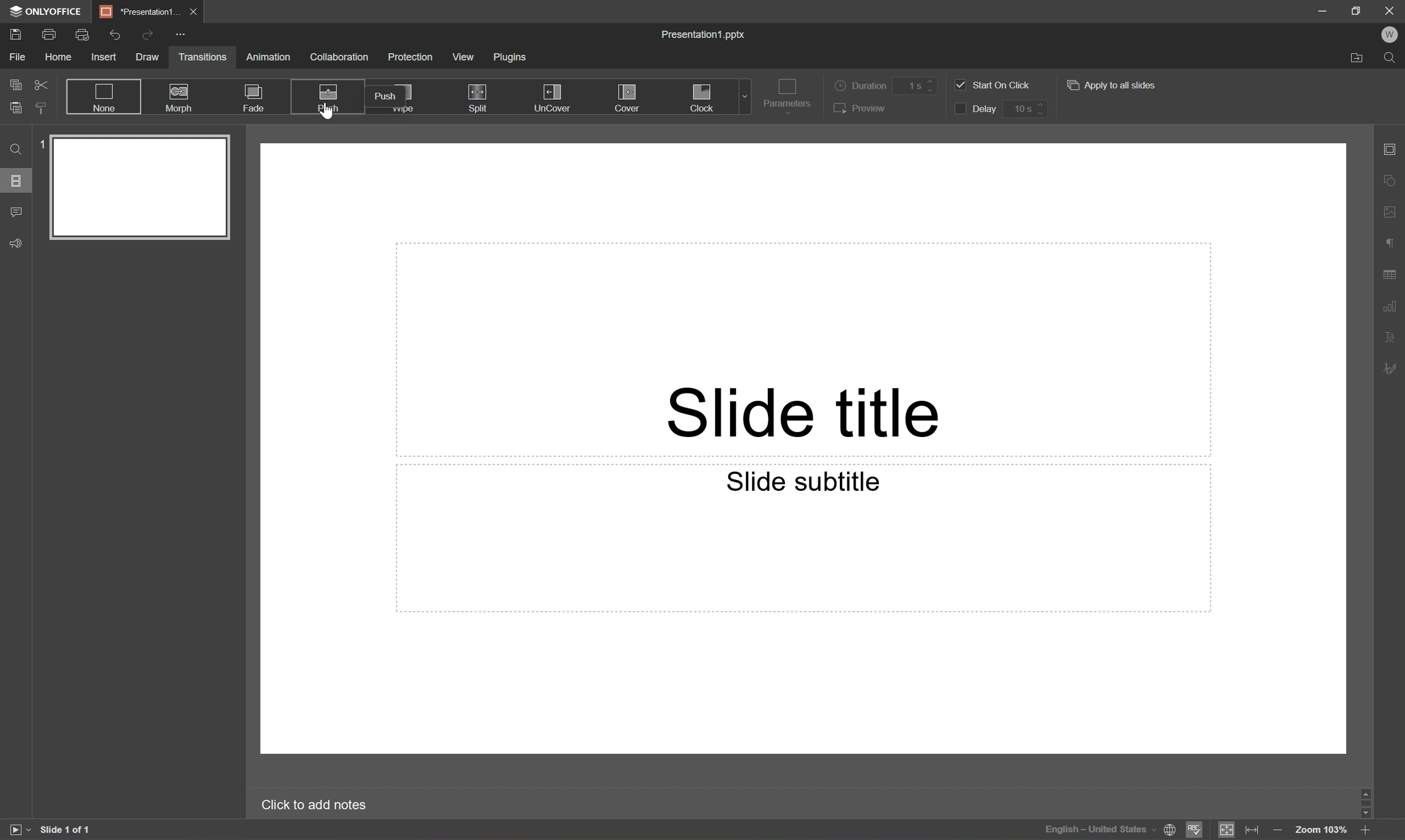  Describe the element at coordinates (1392, 179) in the screenshot. I see `Shape settings` at that location.